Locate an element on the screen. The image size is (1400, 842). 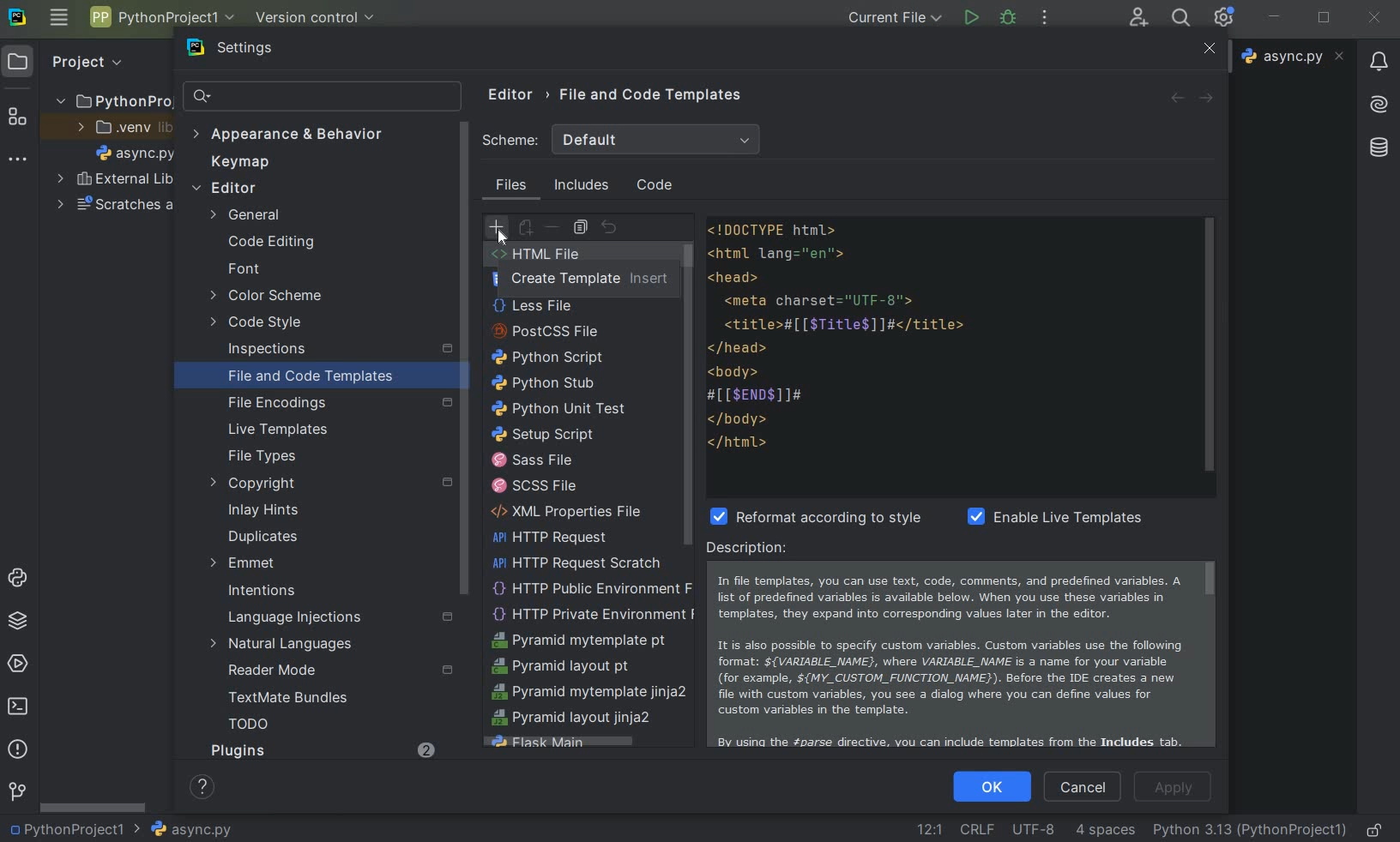
less file is located at coordinates (532, 305).